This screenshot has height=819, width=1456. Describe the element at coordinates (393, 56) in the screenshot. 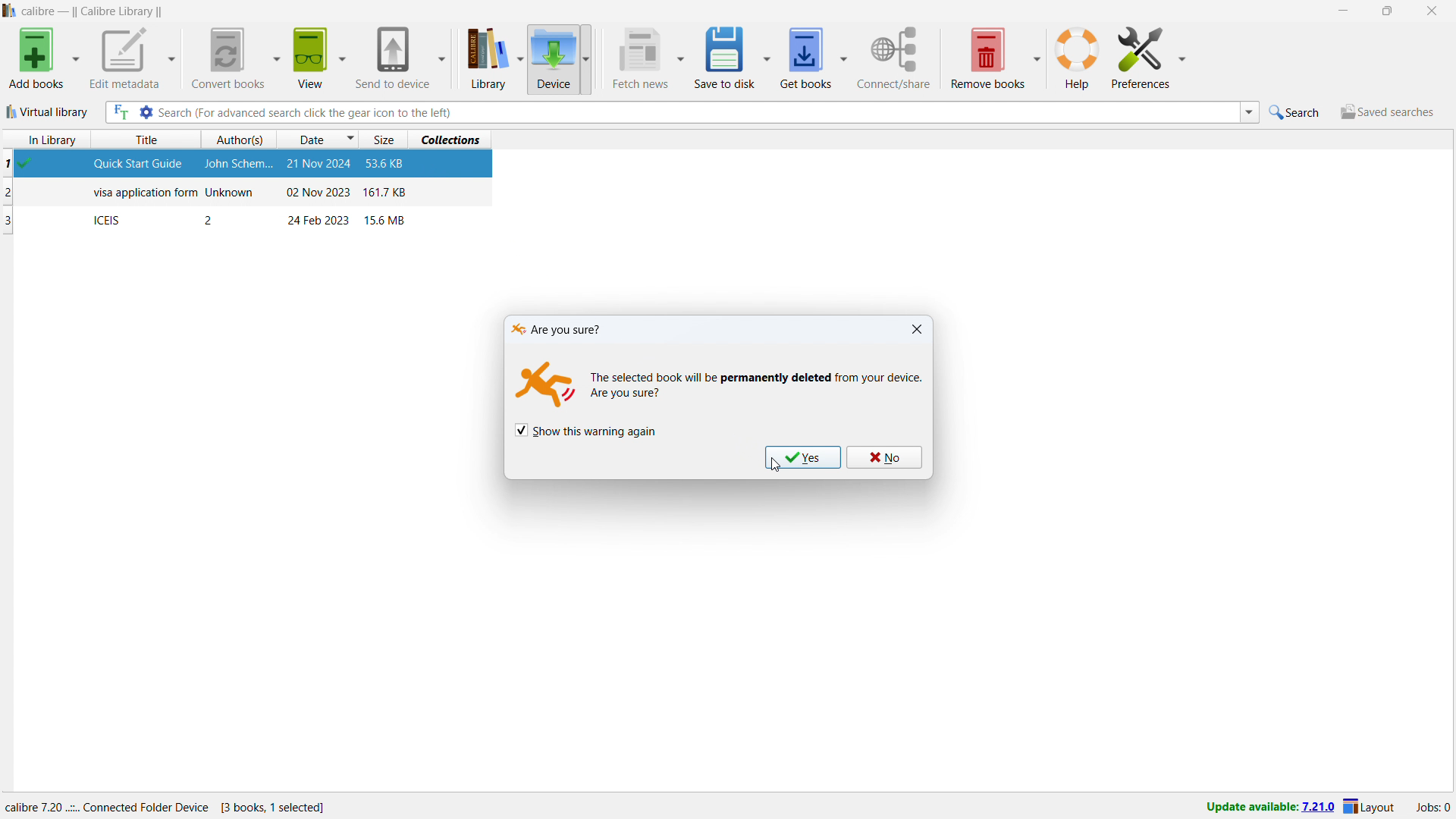

I see `send to device` at that location.